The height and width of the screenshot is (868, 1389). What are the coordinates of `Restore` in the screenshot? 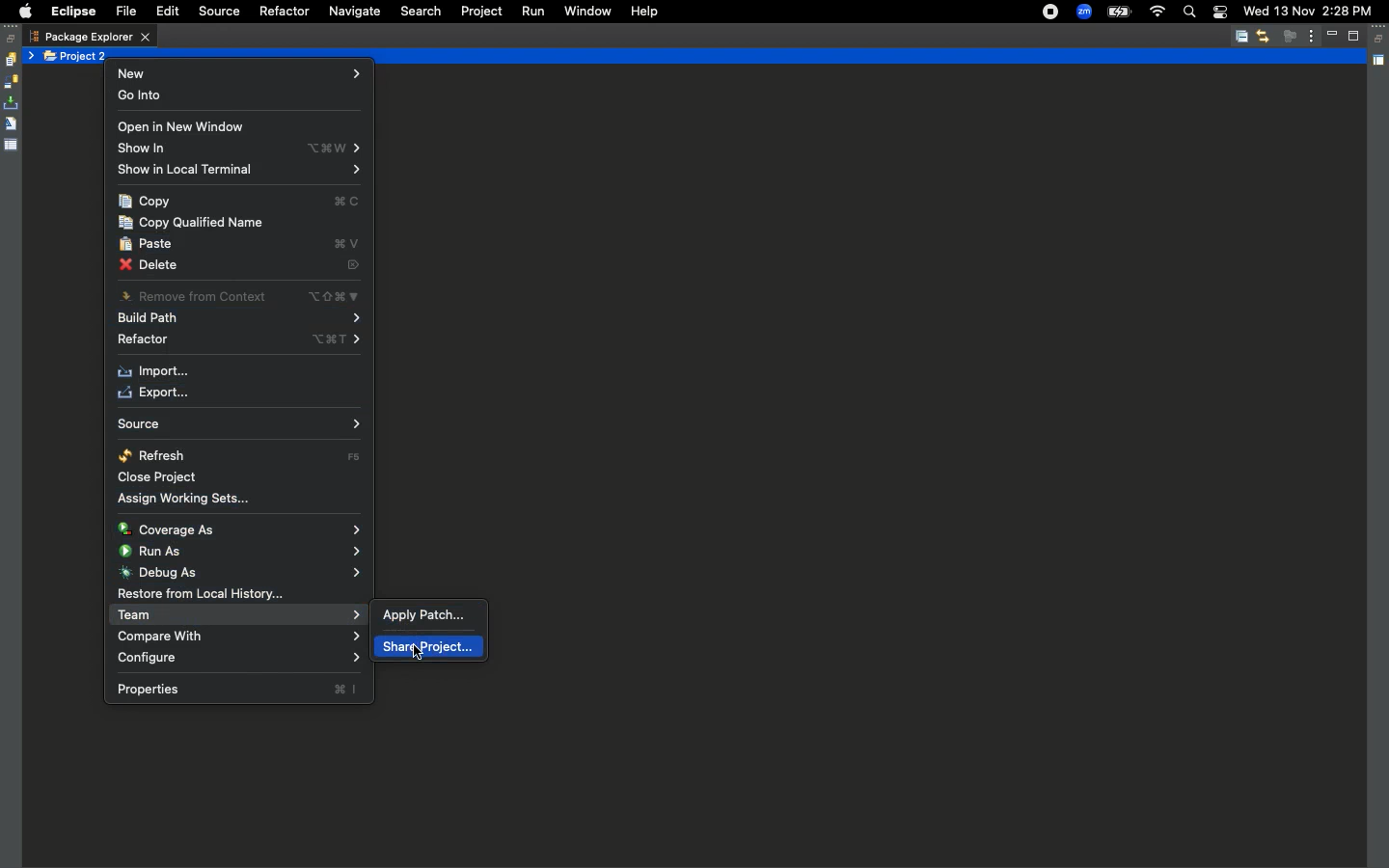 It's located at (1380, 40).